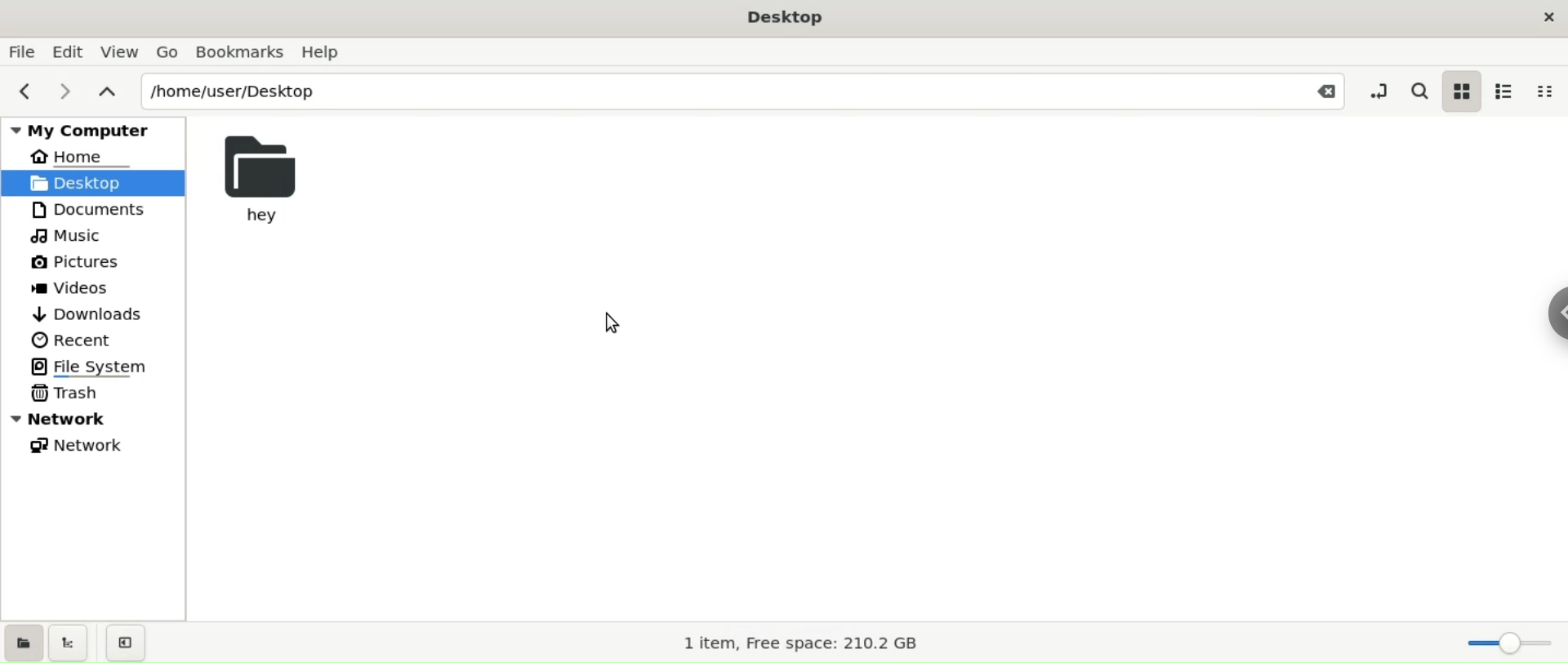 The width and height of the screenshot is (1568, 663). What do you see at coordinates (170, 51) in the screenshot?
I see `go` at bounding box center [170, 51].